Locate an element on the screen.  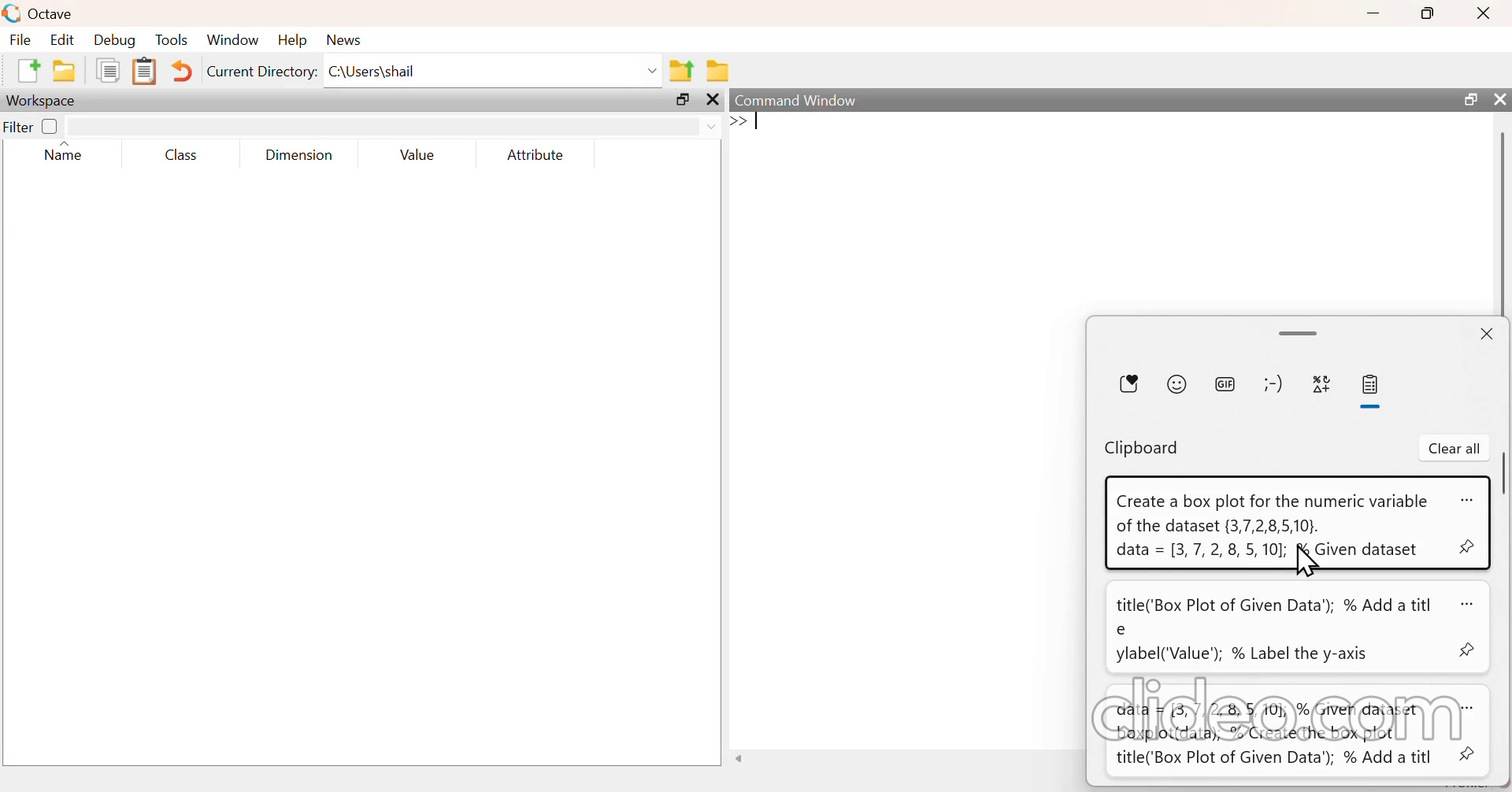
class is located at coordinates (182, 155).